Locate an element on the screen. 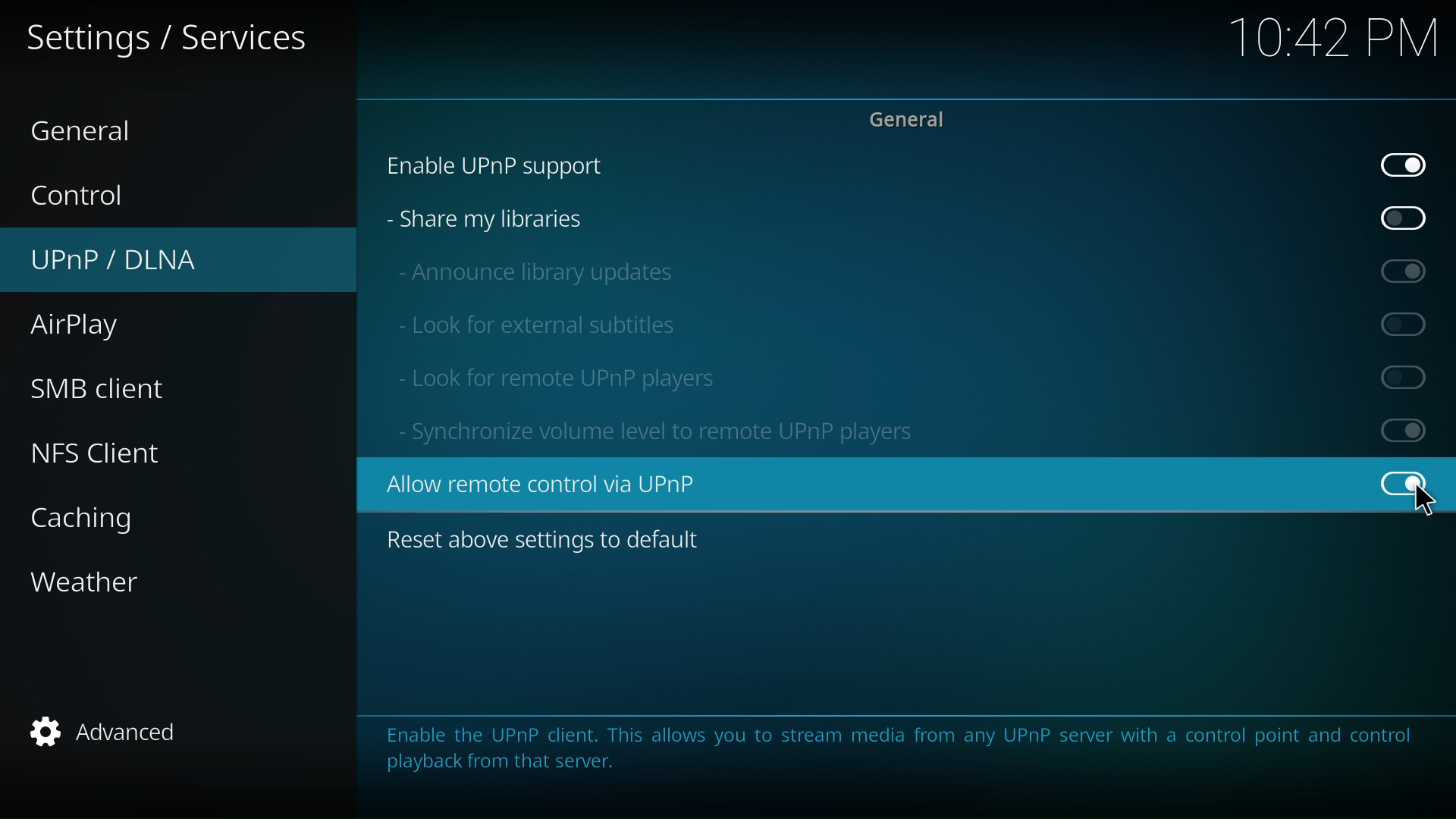 The width and height of the screenshot is (1456, 819). 10:42 PM is located at coordinates (1332, 37).